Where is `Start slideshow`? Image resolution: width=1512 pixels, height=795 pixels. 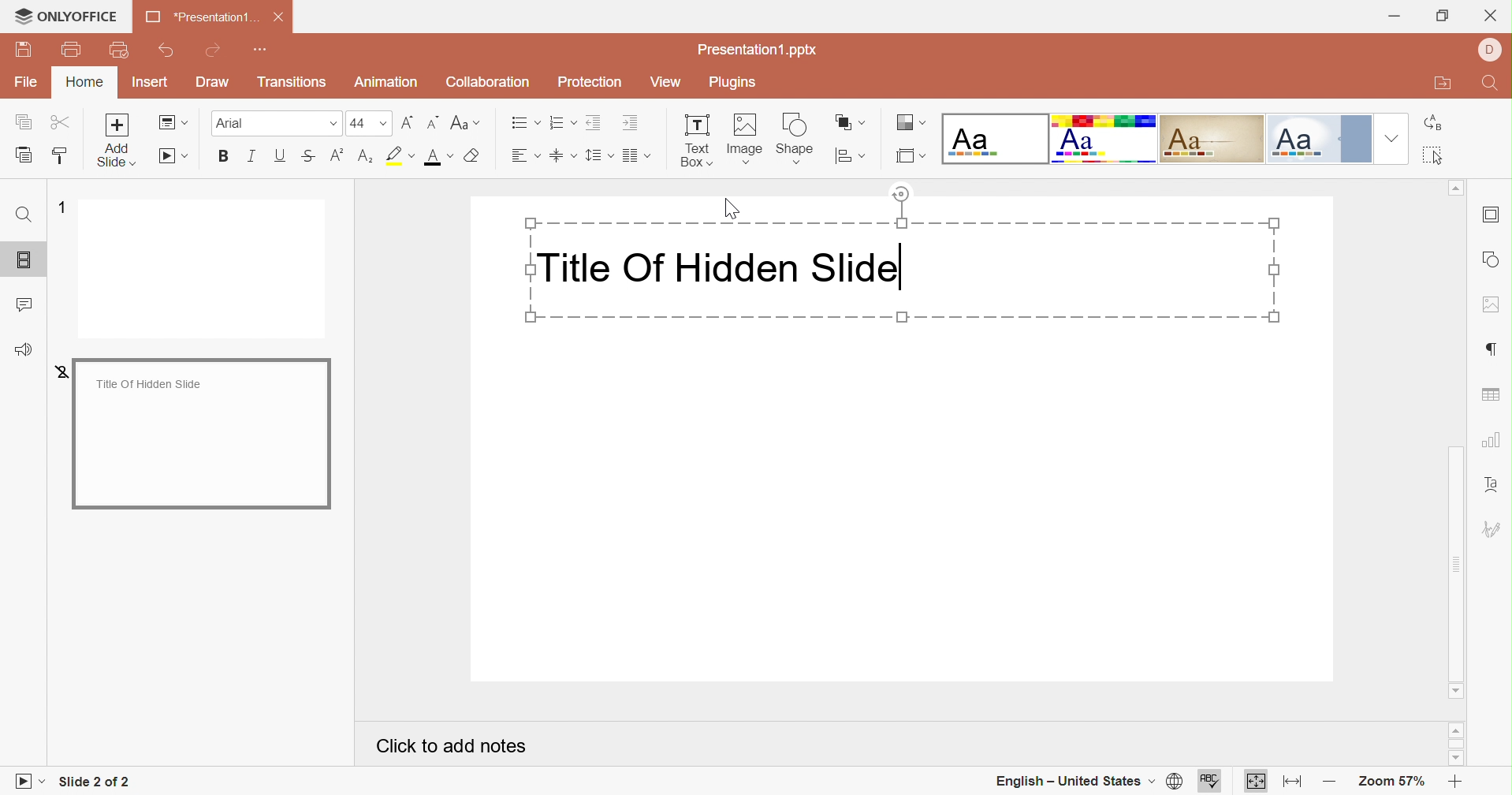
Start slideshow is located at coordinates (172, 157).